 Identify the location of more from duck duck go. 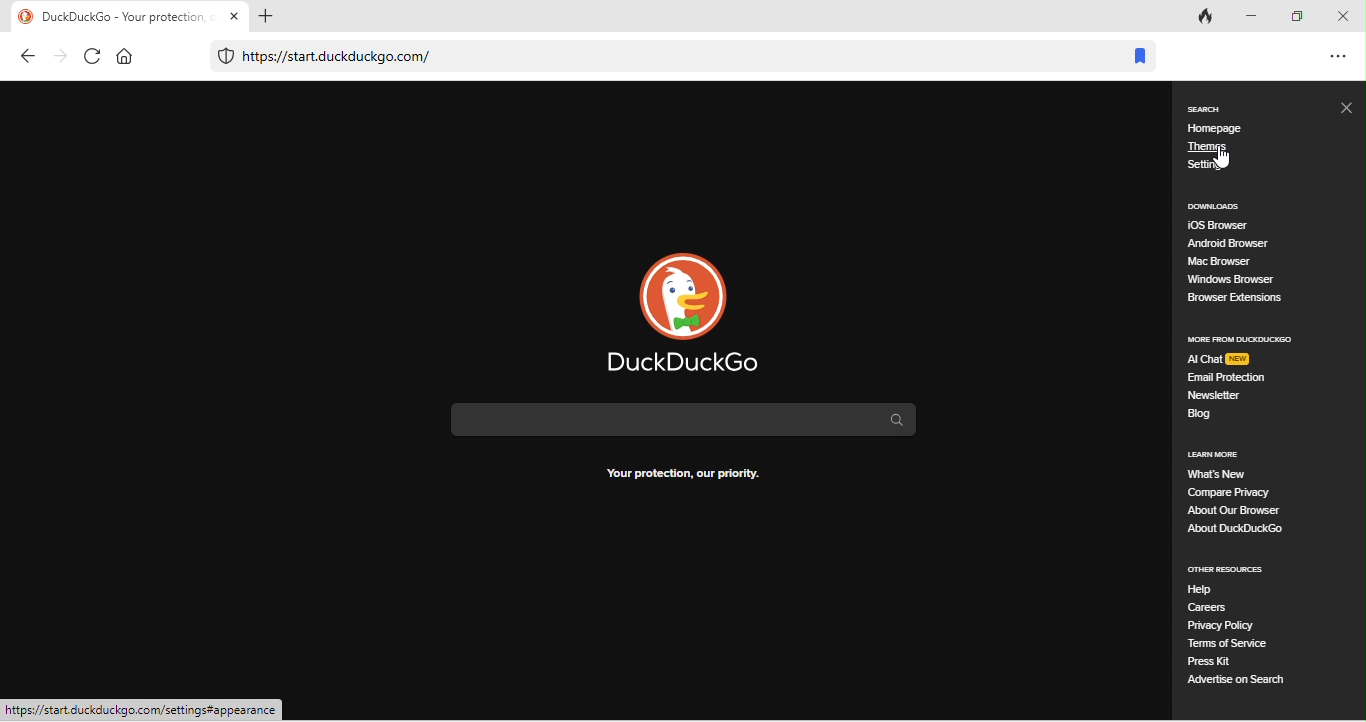
(1245, 340).